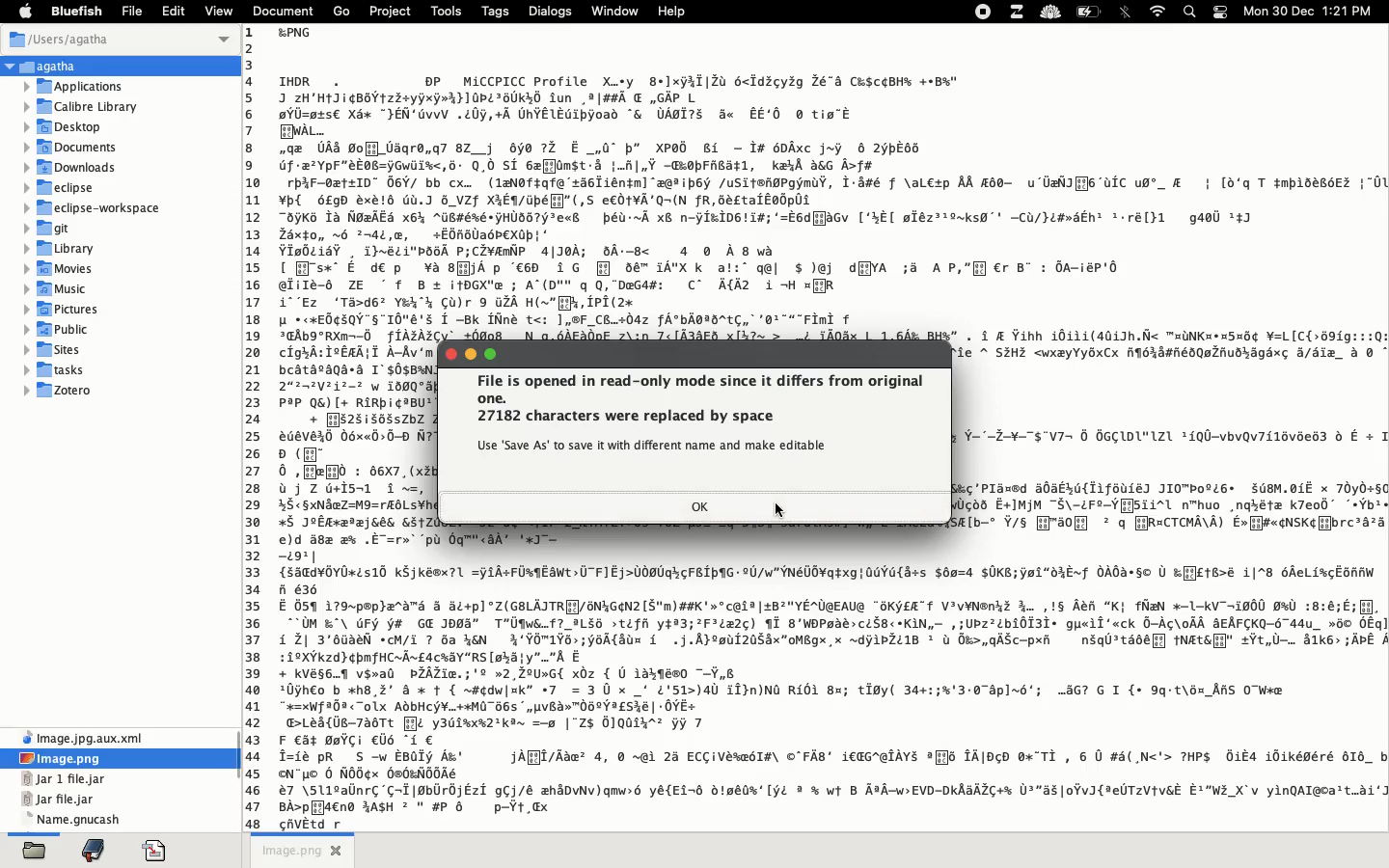  Describe the element at coordinates (449, 11) in the screenshot. I see `tools` at that location.